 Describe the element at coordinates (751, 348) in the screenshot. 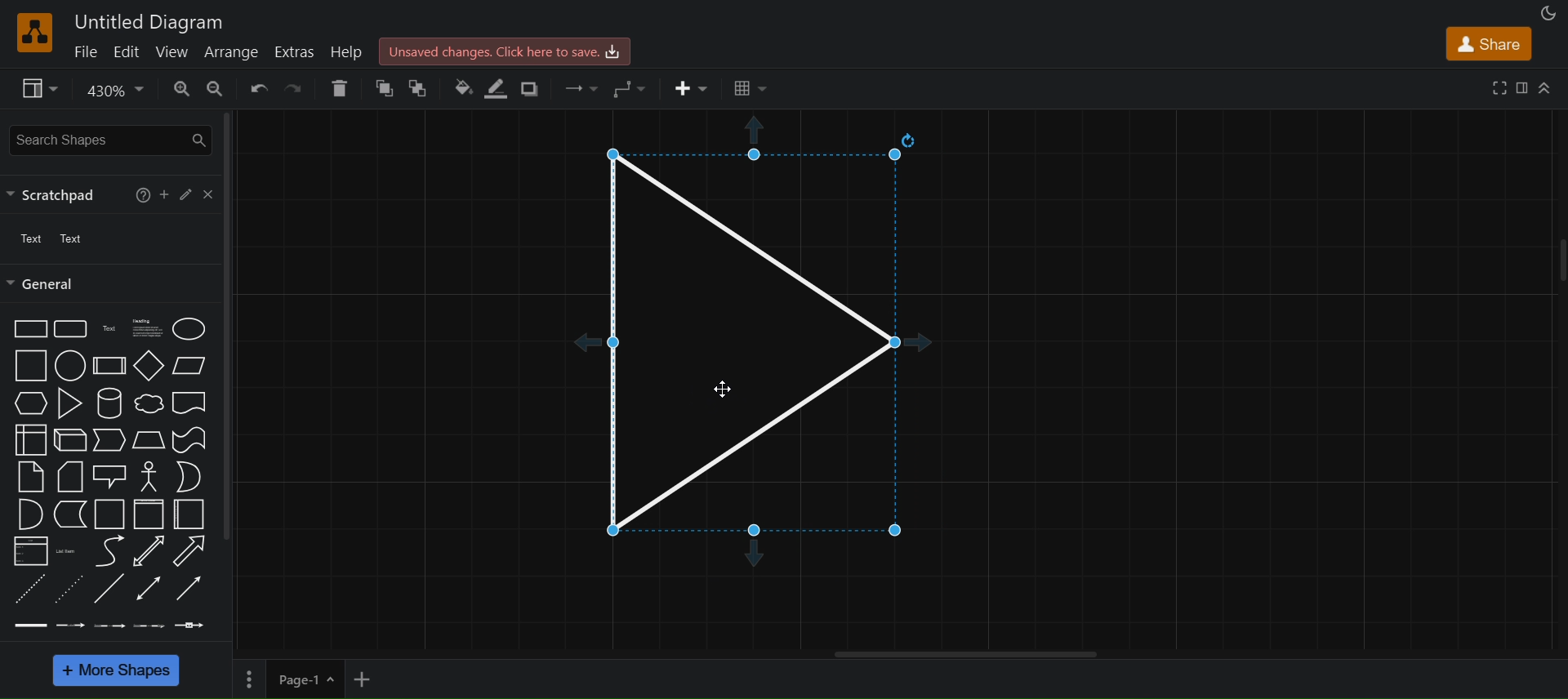

I see `triangle snap to grid` at that location.